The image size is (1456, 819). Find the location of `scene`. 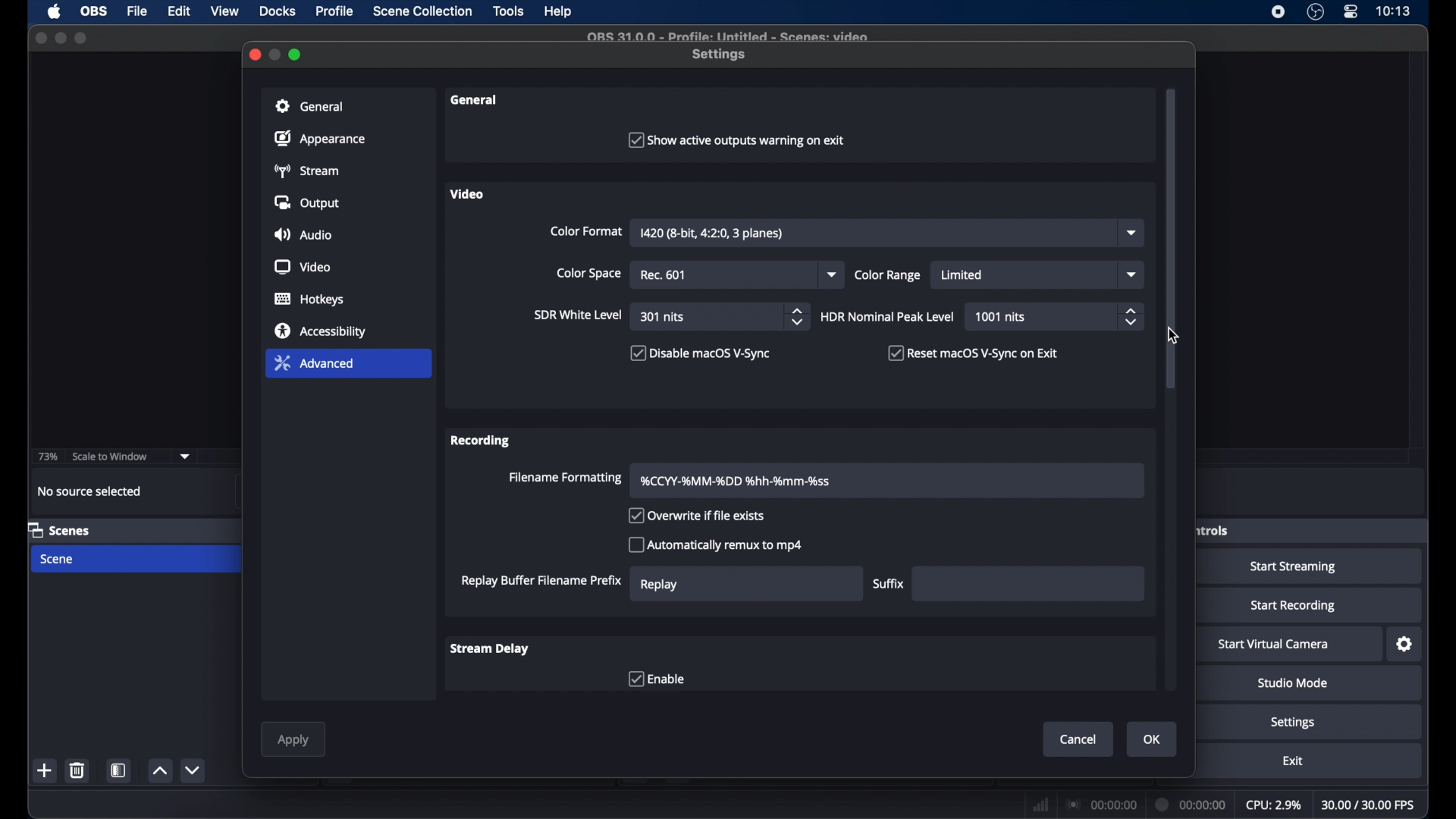

scene is located at coordinates (58, 560).